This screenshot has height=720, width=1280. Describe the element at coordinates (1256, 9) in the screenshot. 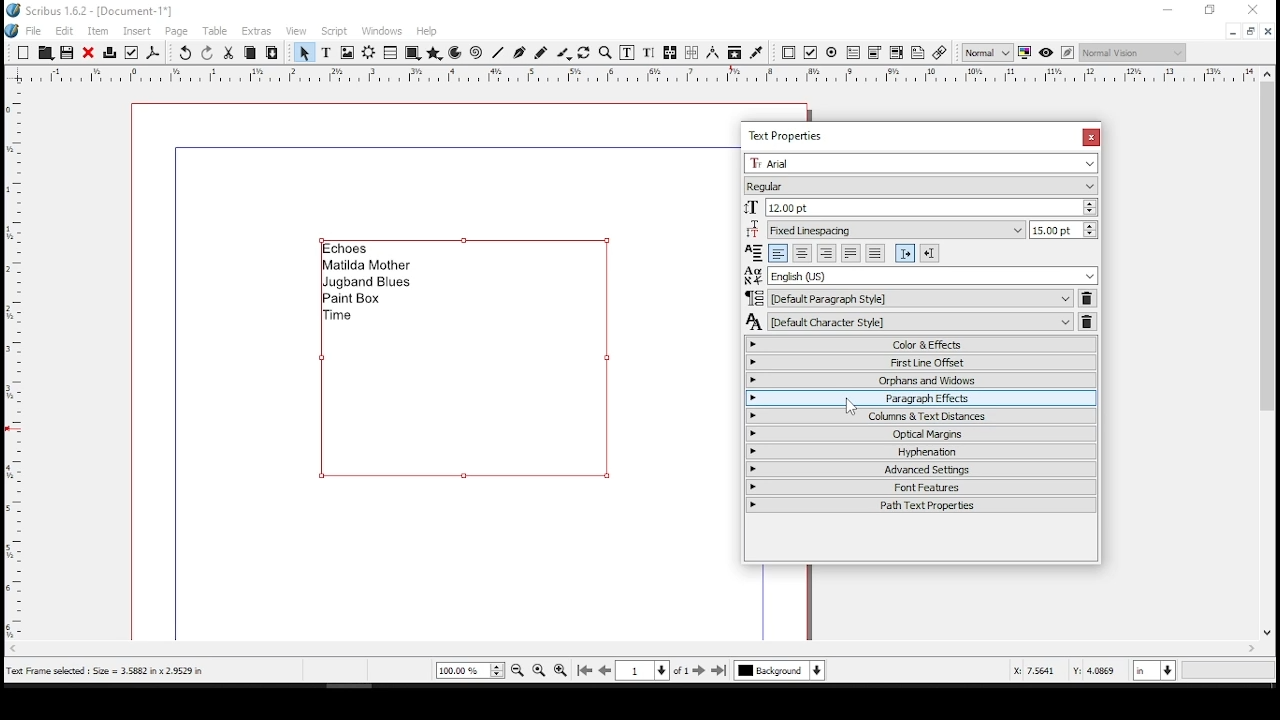

I see `close window` at that location.